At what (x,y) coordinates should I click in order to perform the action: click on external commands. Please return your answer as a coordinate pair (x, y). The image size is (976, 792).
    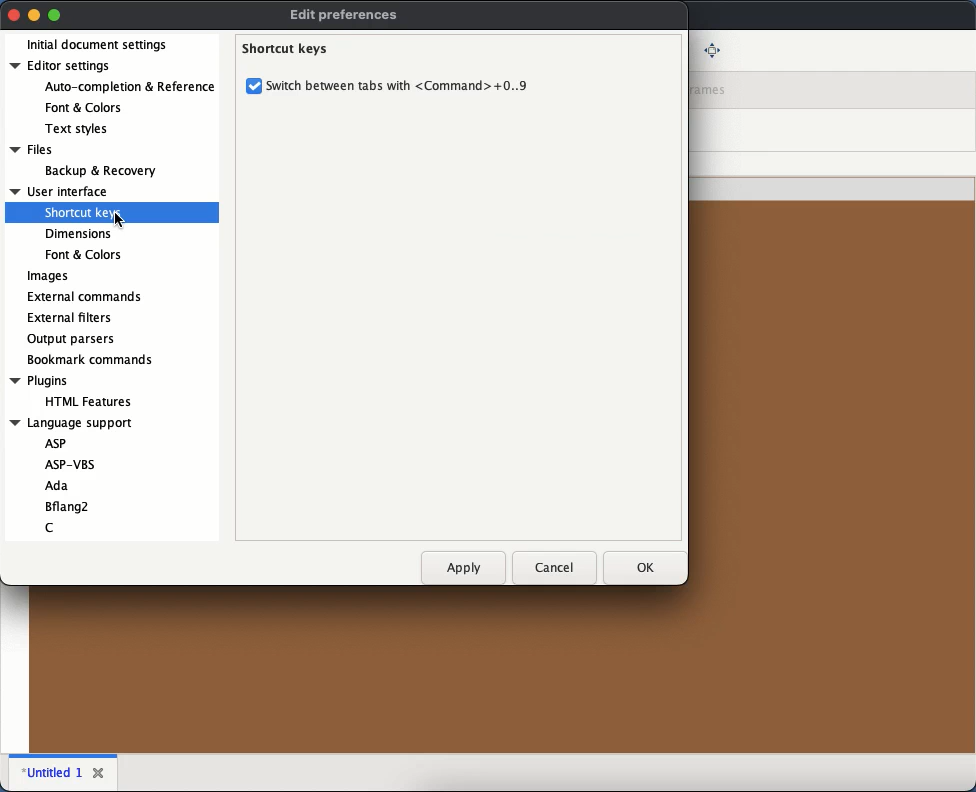
    Looking at the image, I should click on (87, 296).